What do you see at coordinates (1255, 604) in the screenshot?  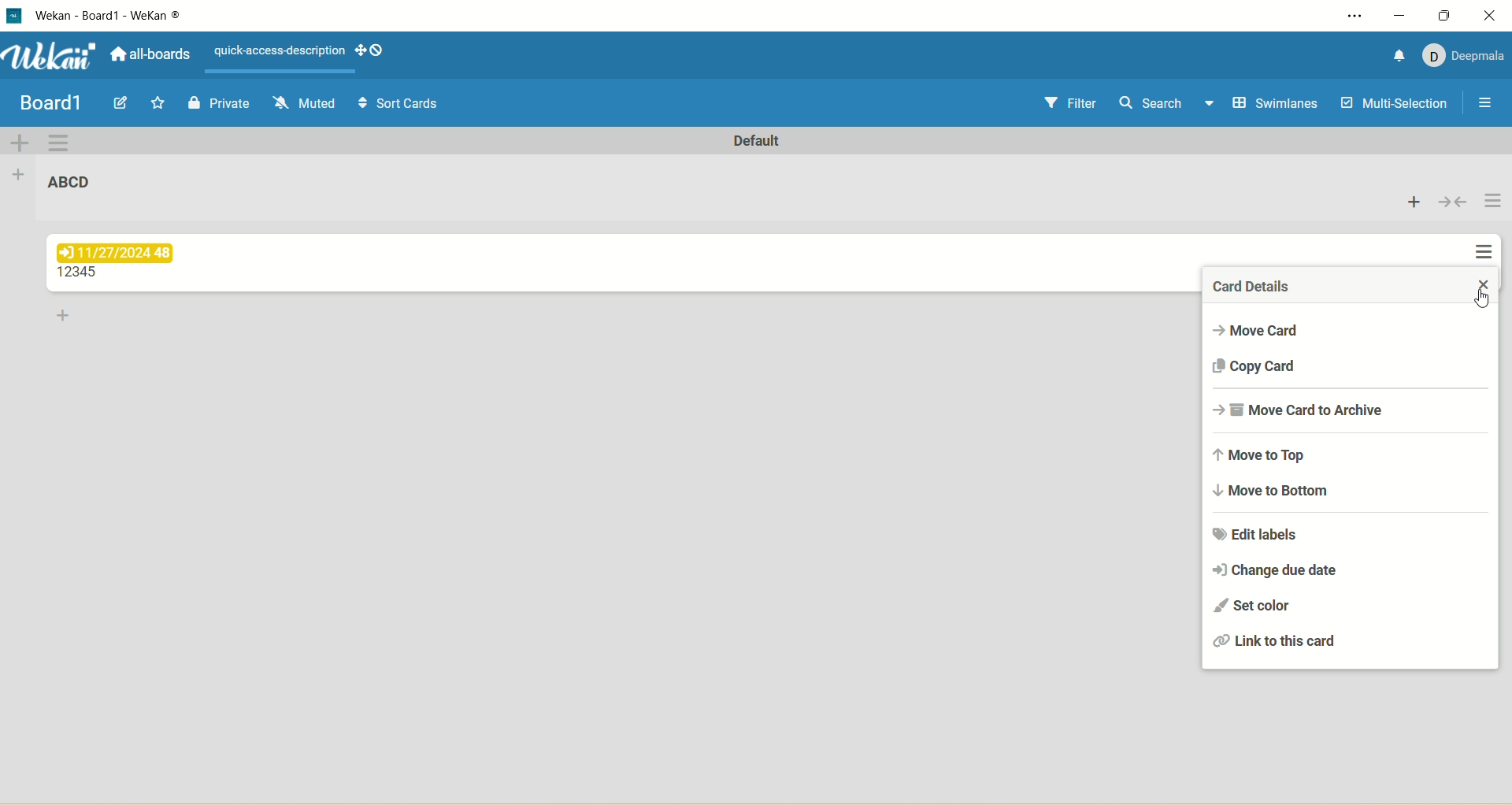 I see `set color` at bounding box center [1255, 604].